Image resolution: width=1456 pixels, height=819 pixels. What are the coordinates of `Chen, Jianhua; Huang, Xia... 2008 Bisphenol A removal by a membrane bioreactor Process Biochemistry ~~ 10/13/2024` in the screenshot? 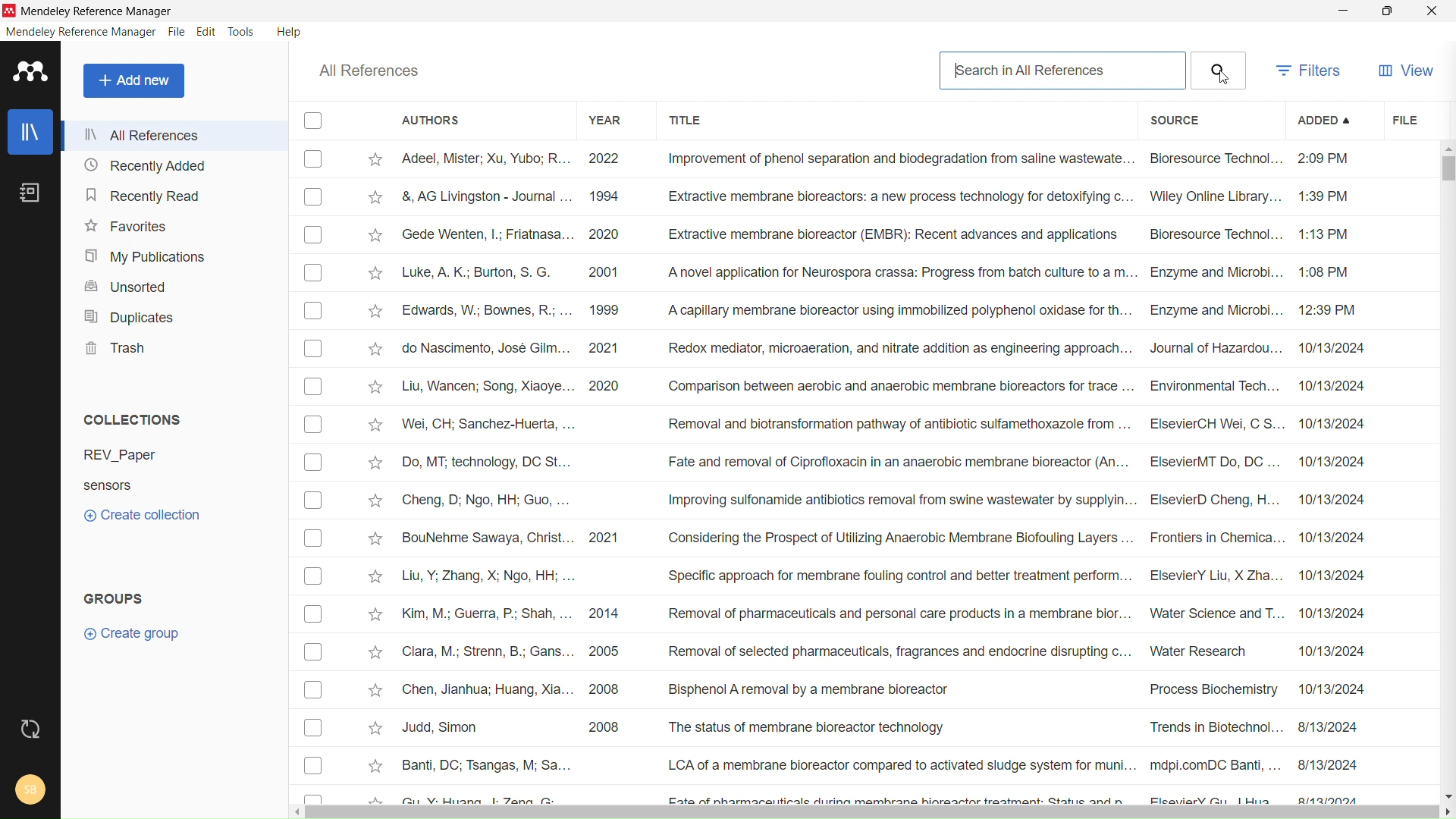 It's located at (884, 687).